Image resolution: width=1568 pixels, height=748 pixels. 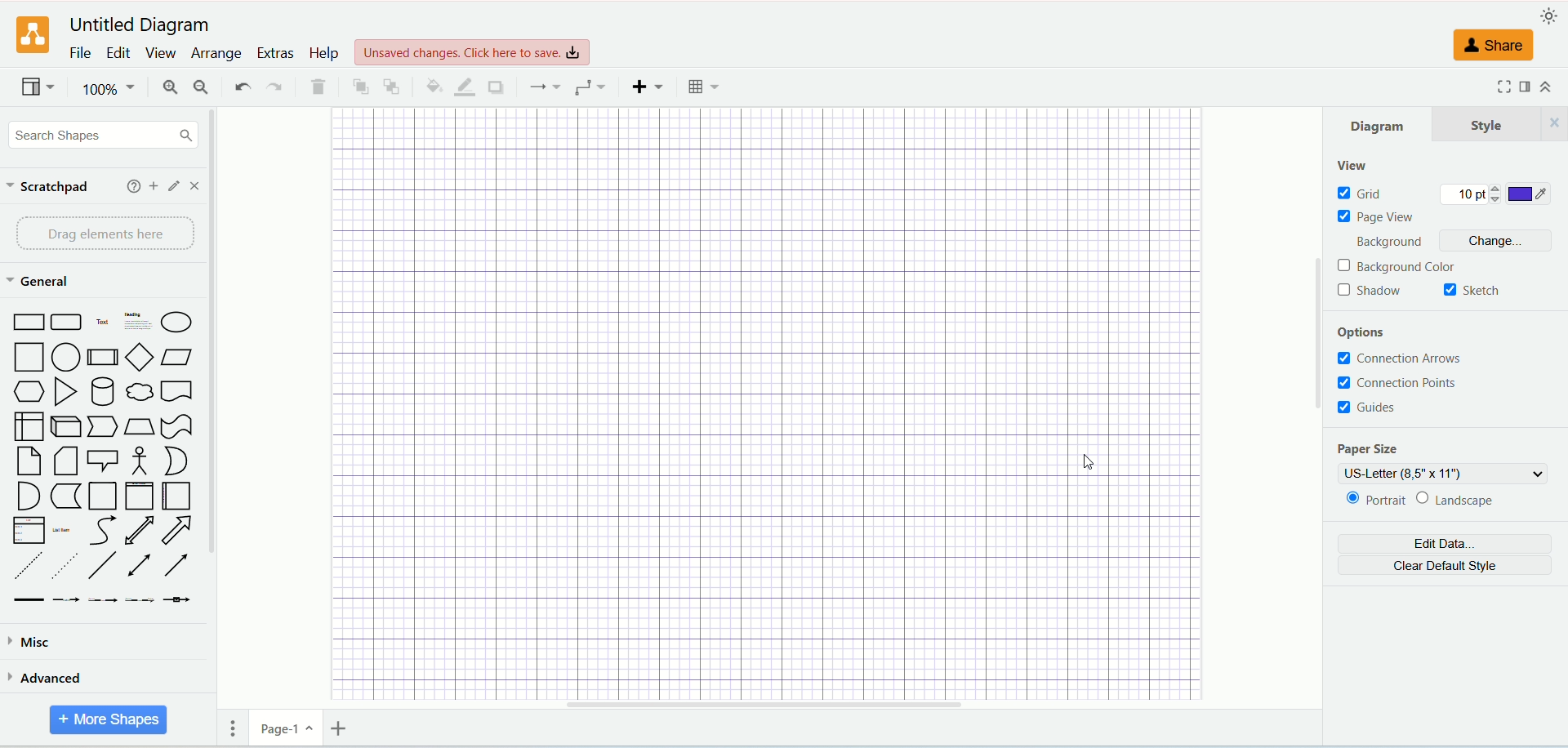 I want to click on sketch, so click(x=1469, y=290).